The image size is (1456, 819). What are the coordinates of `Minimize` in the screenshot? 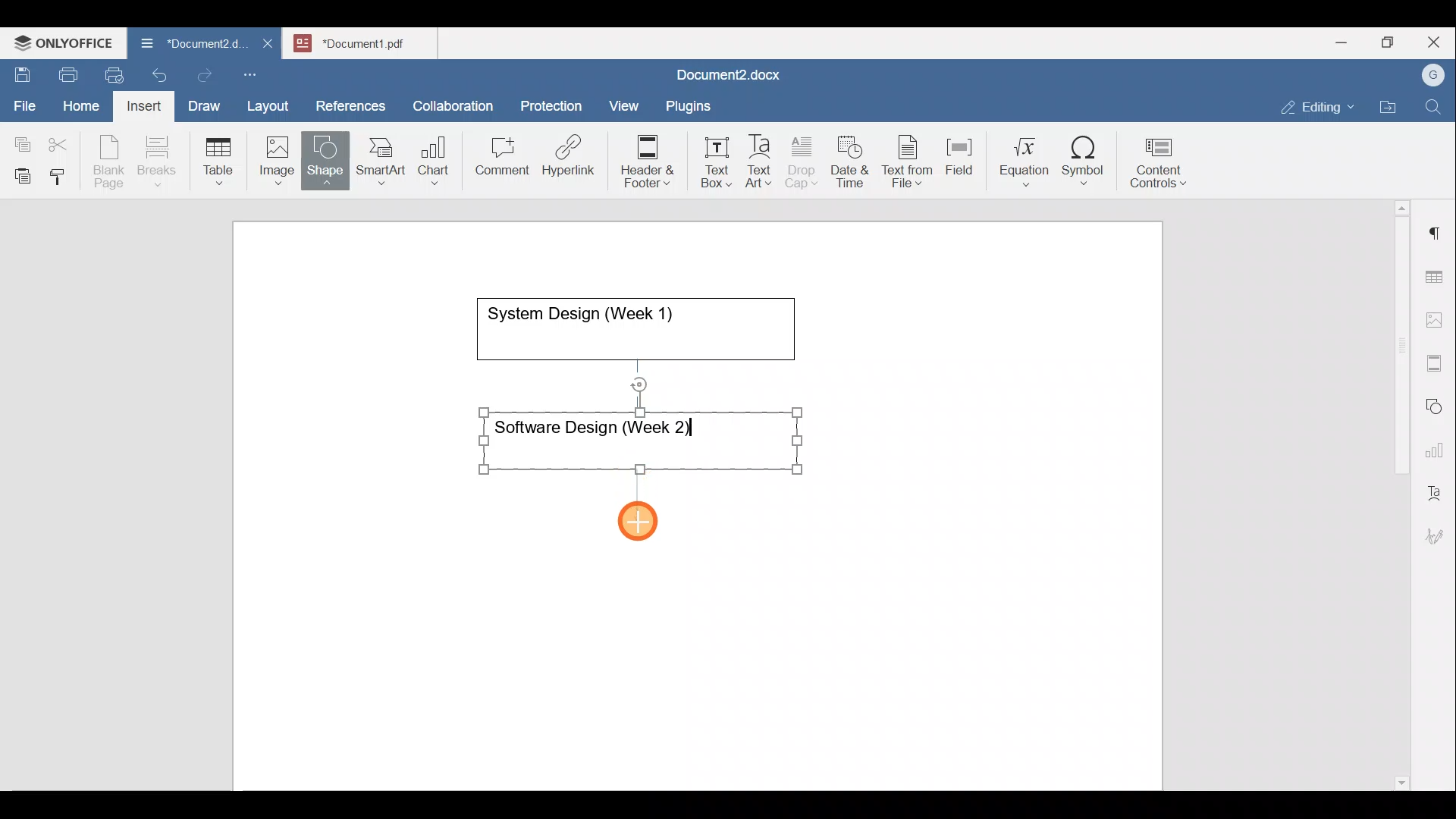 It's located at (1341, 41).